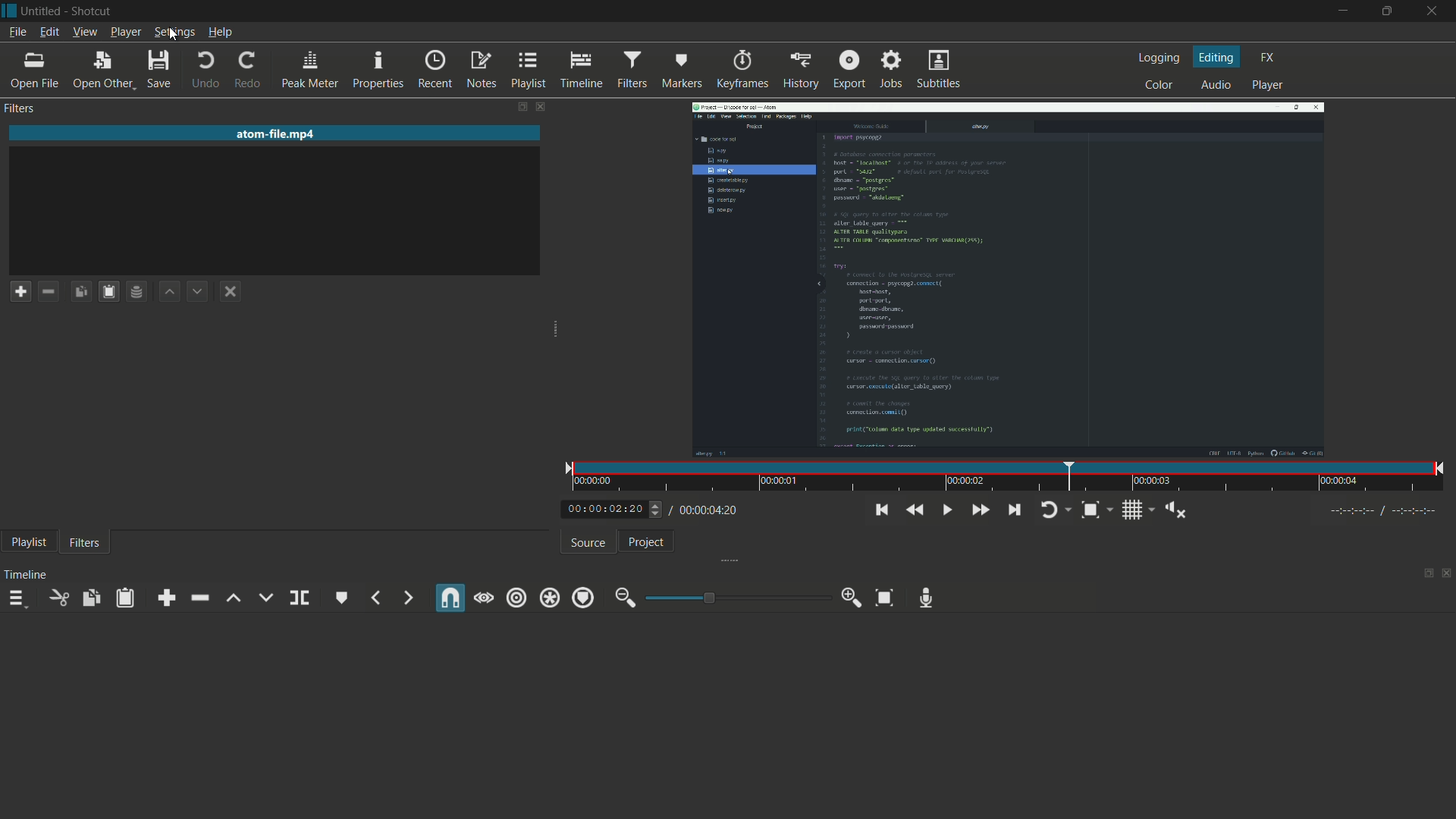 The height and width of the screenshot is (819, 1456). Describe the element at coordinates (435, 70) in the screenshot. I see `recent` at that location.